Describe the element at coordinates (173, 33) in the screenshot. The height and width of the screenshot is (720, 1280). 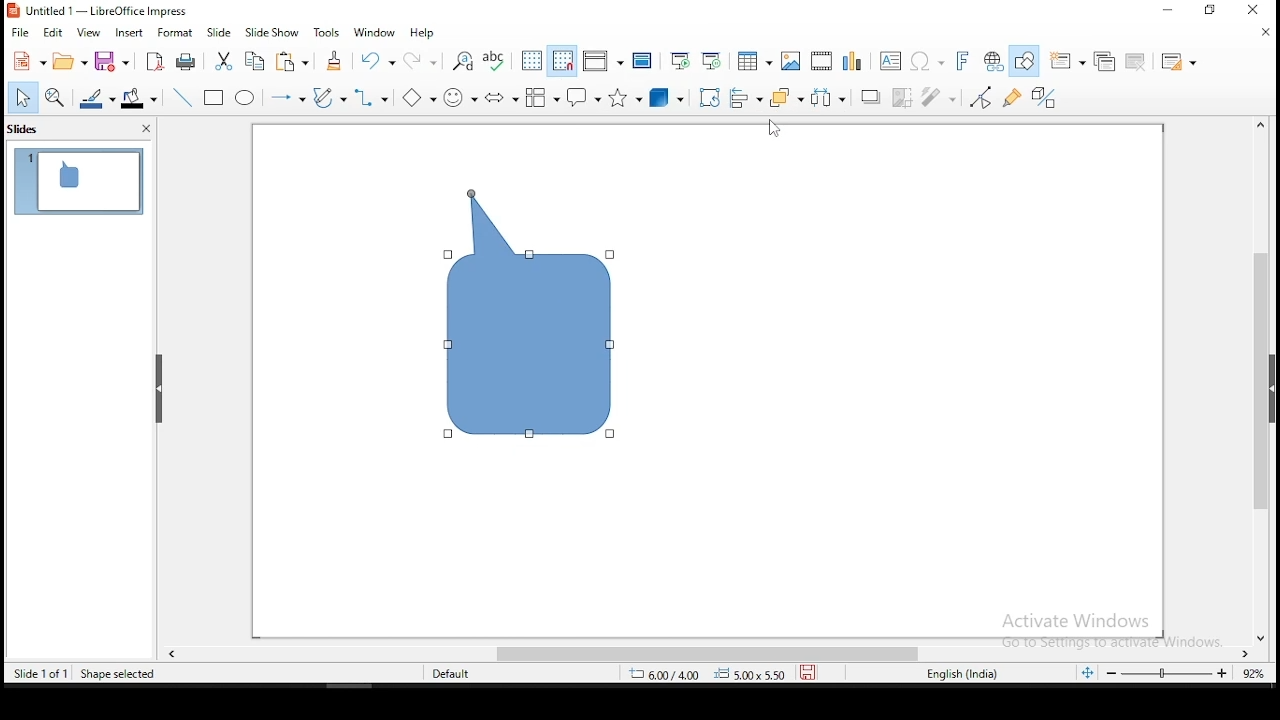
I see `format` at that location.